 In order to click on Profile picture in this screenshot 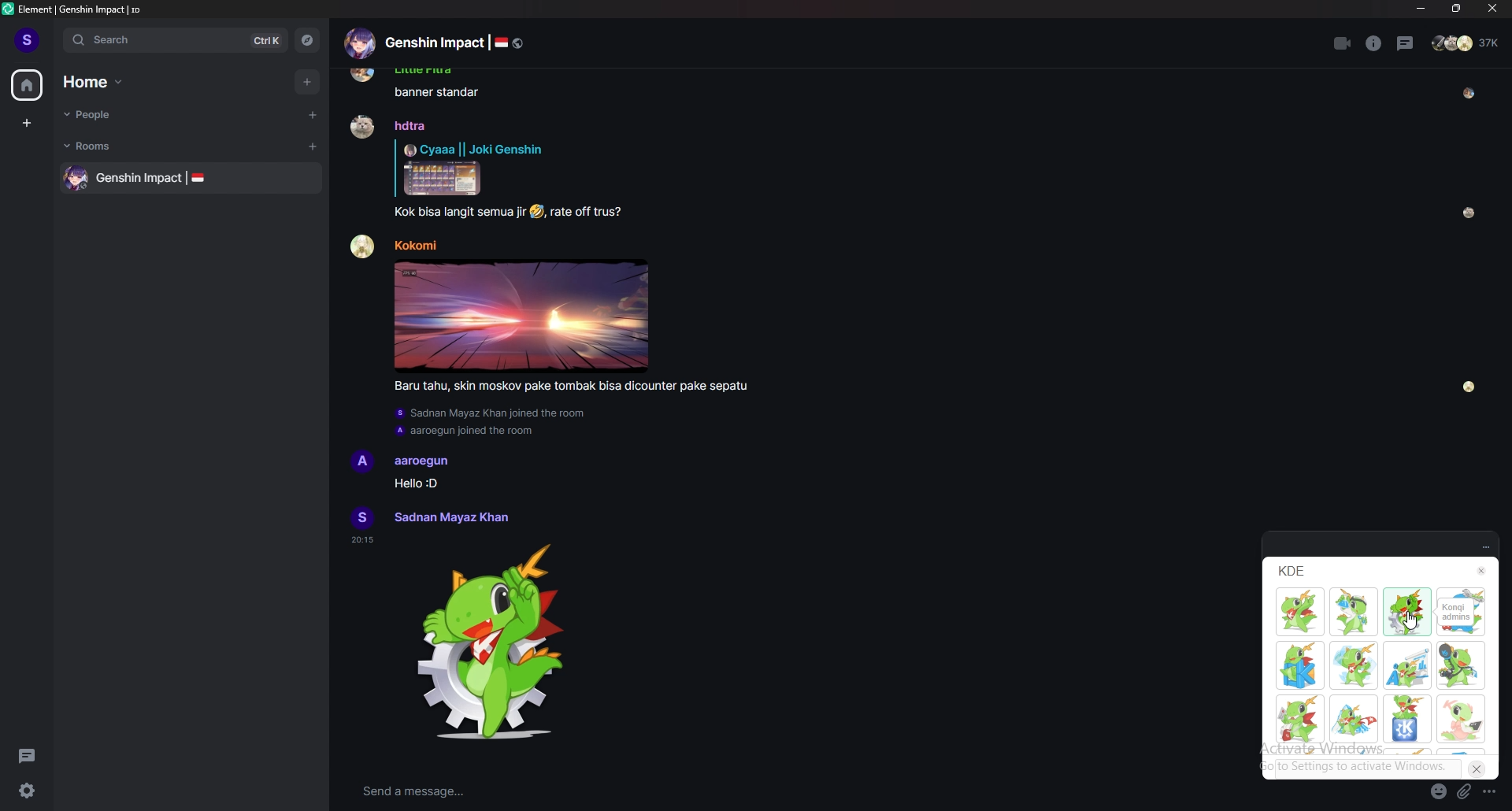, I will do `click(363, 246)`.